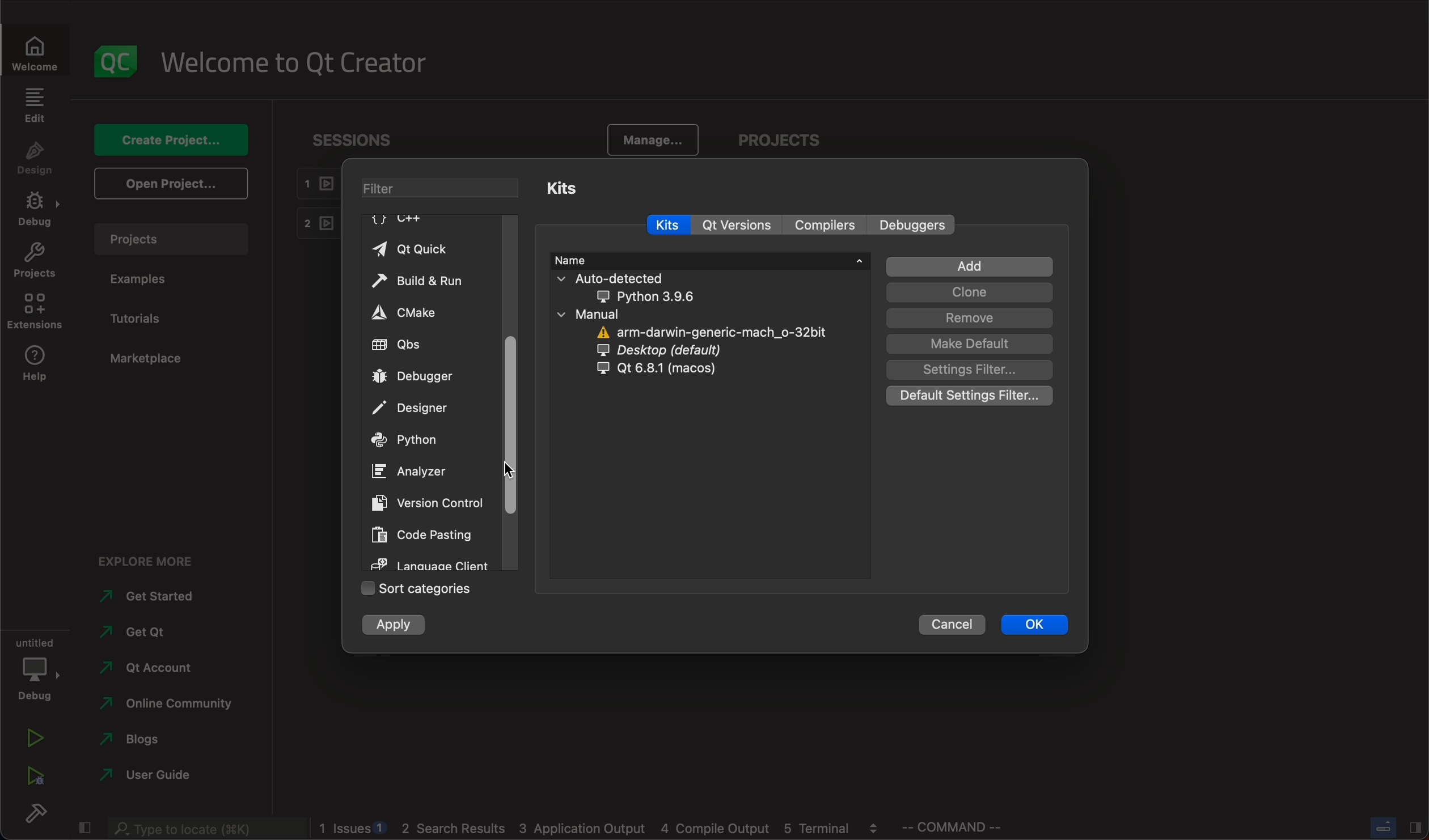 The width and height of the screenshot is (1429, 840). Describe the element at coordinates (429, 562) in the screenshot. I see `language` at that location.